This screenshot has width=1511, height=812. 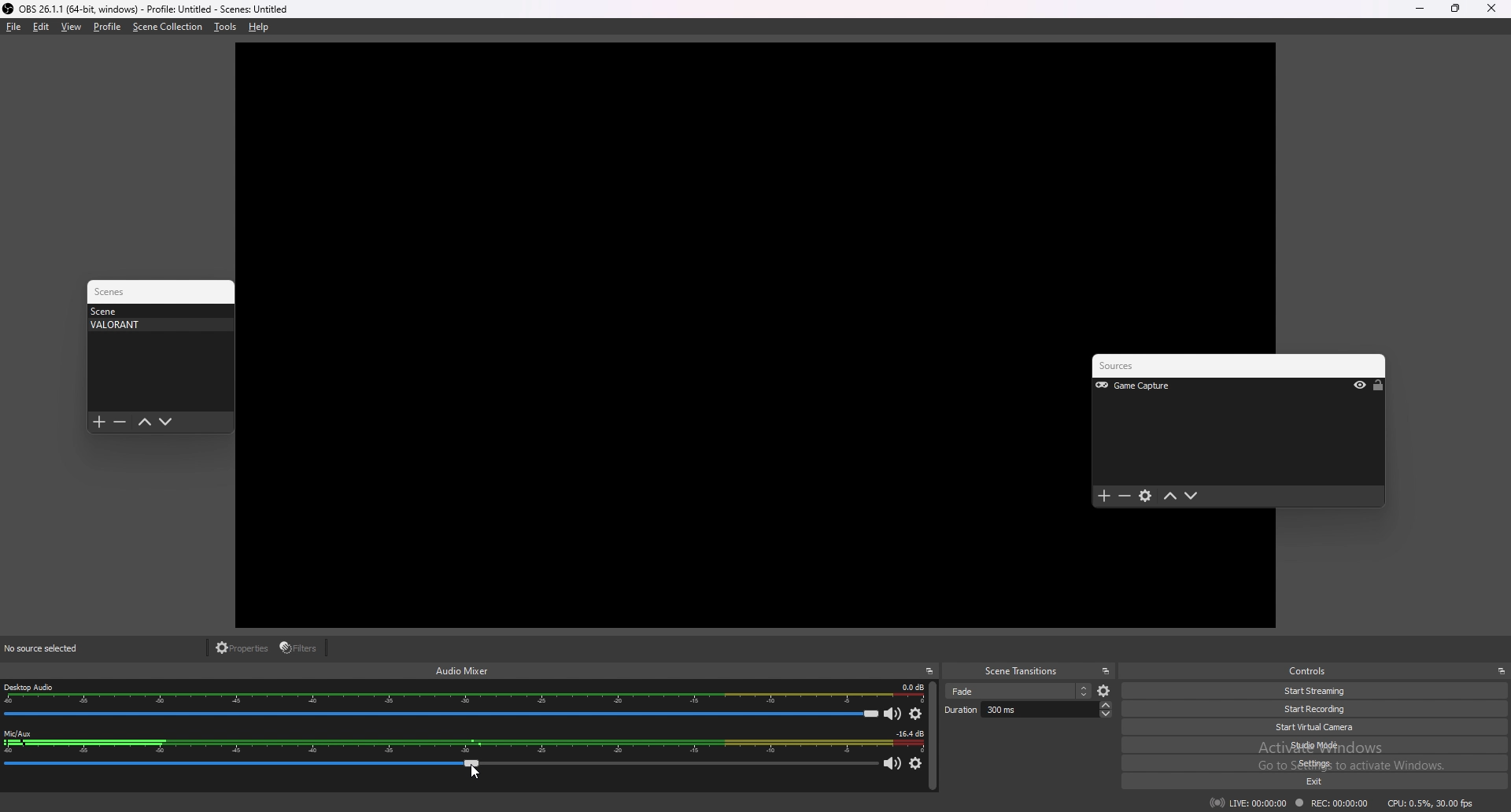 What do you see at coordinates (916, 714) in the screenshot?
I see `desktop audio settings` at bounding box center [916, 714].